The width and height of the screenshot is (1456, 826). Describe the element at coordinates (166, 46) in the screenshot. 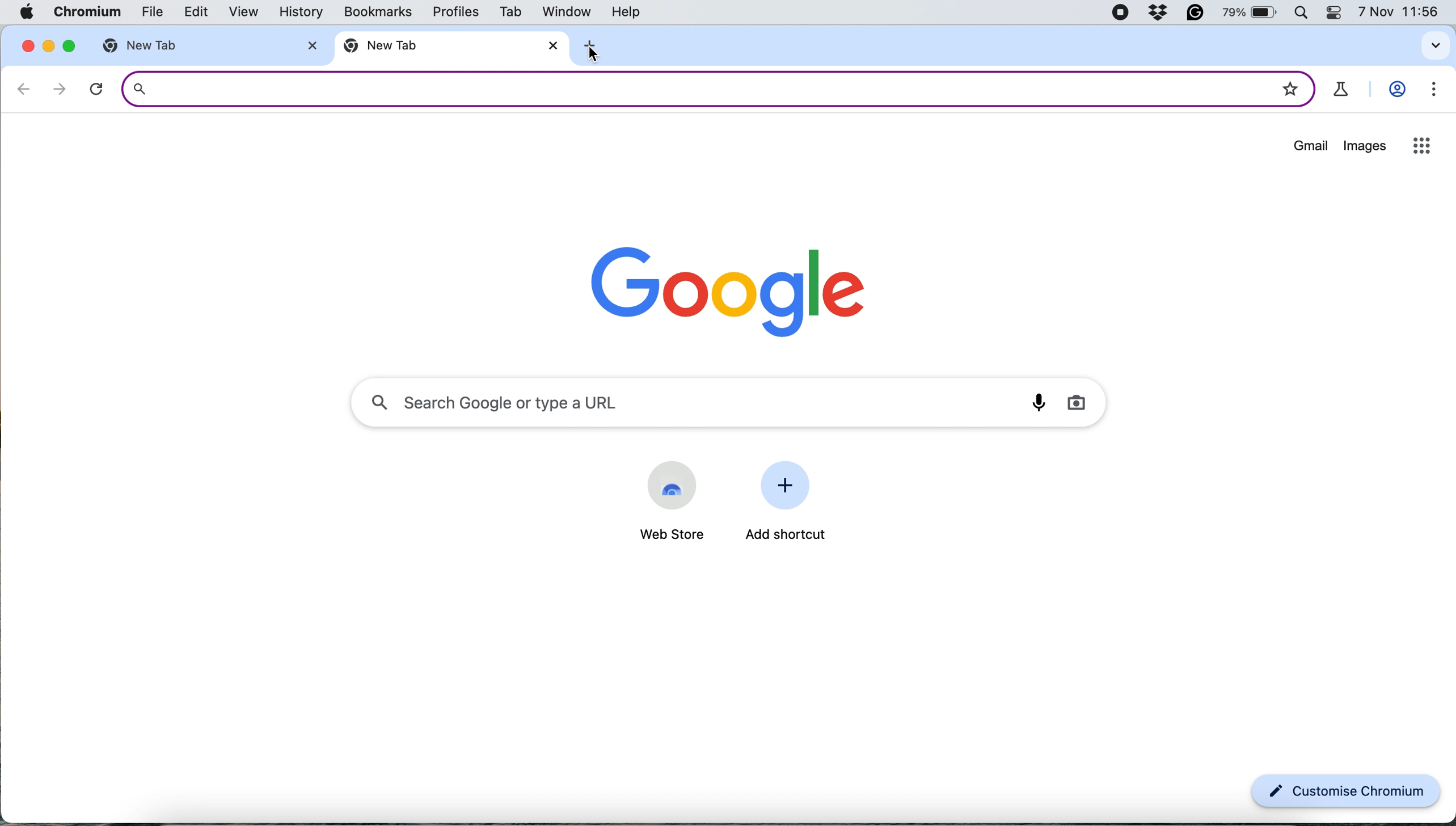

I see `new tab` at that location.